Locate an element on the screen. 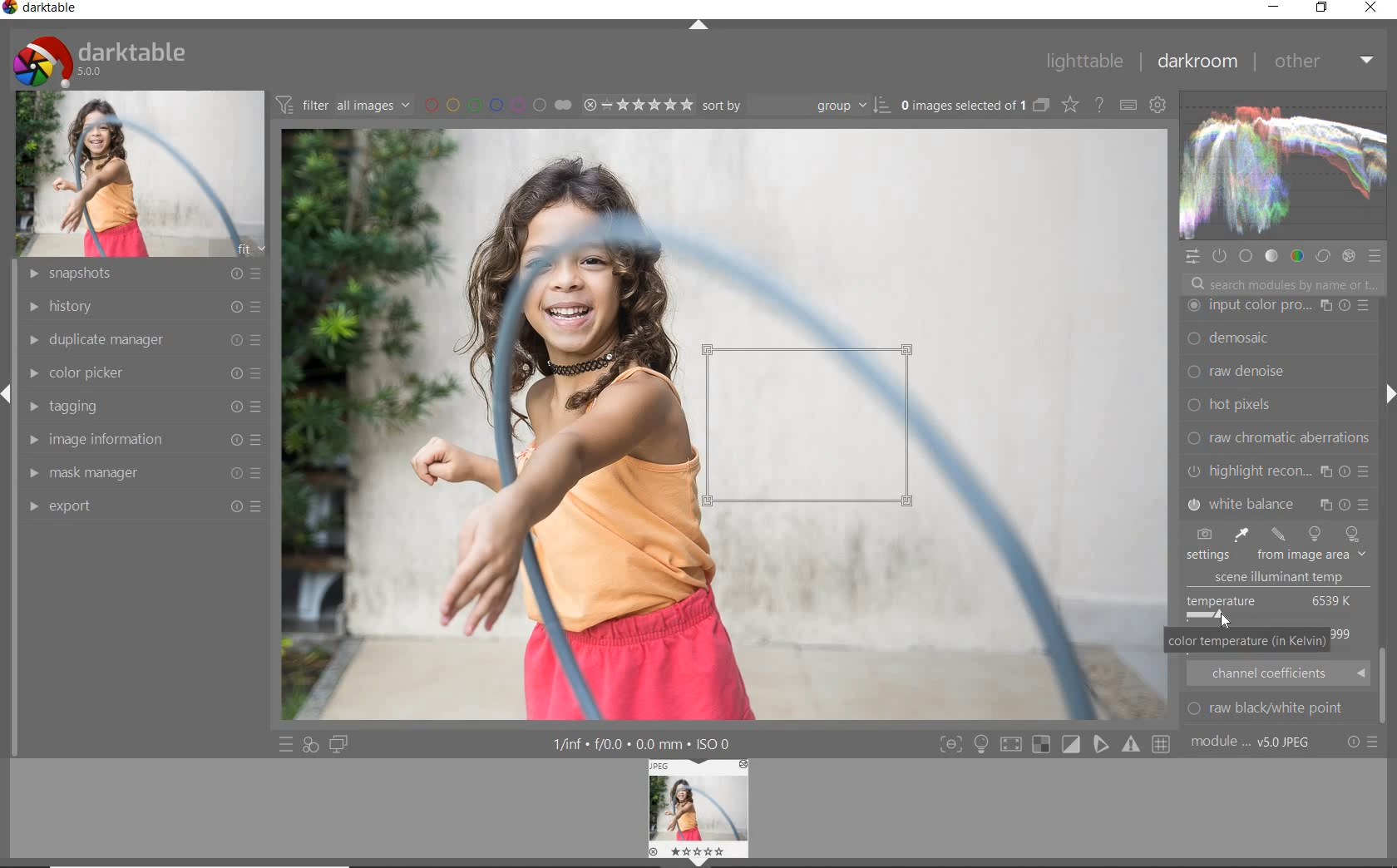 This screenshot has height=868, width=1397. expand / collapse is located at coordinates (697, 28).